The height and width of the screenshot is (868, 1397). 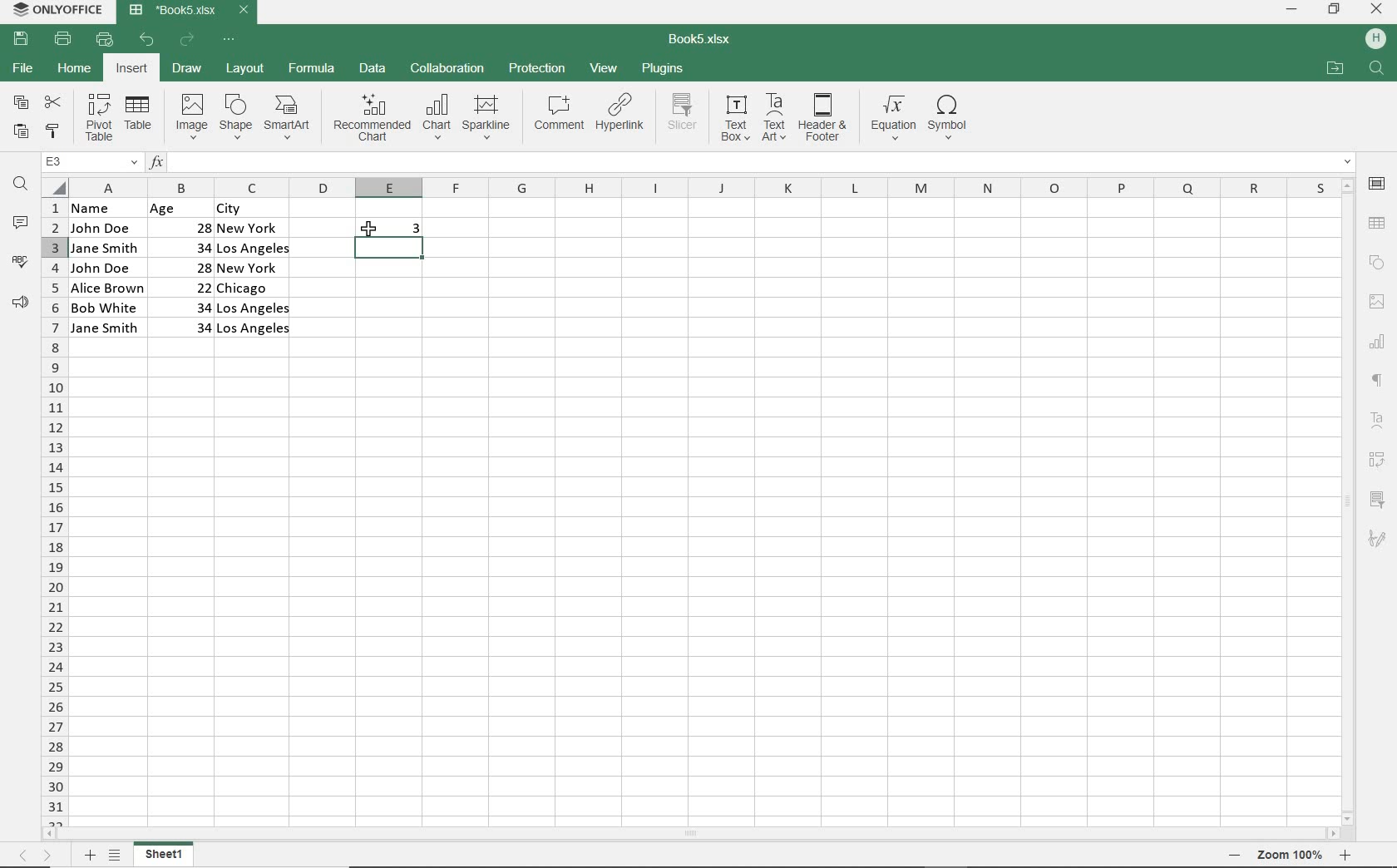 I want to click on LIST OF SHETS, so click(x=115, y=856).